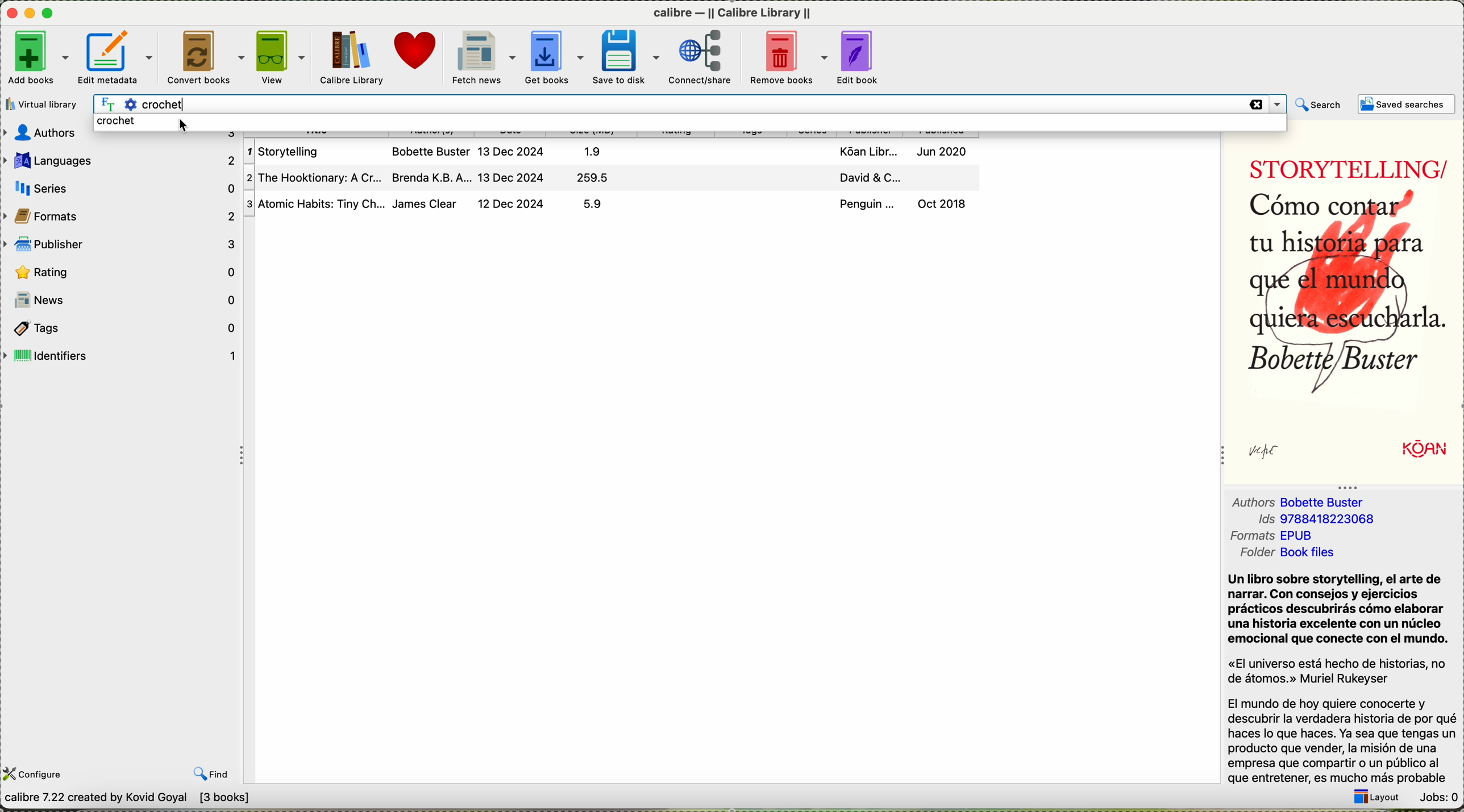 This screenshot has width=1464, height=812. What do you see at coordinates (1220, 459) in the screenshot?
I see `collapse` at bounding box center [1220, 459].